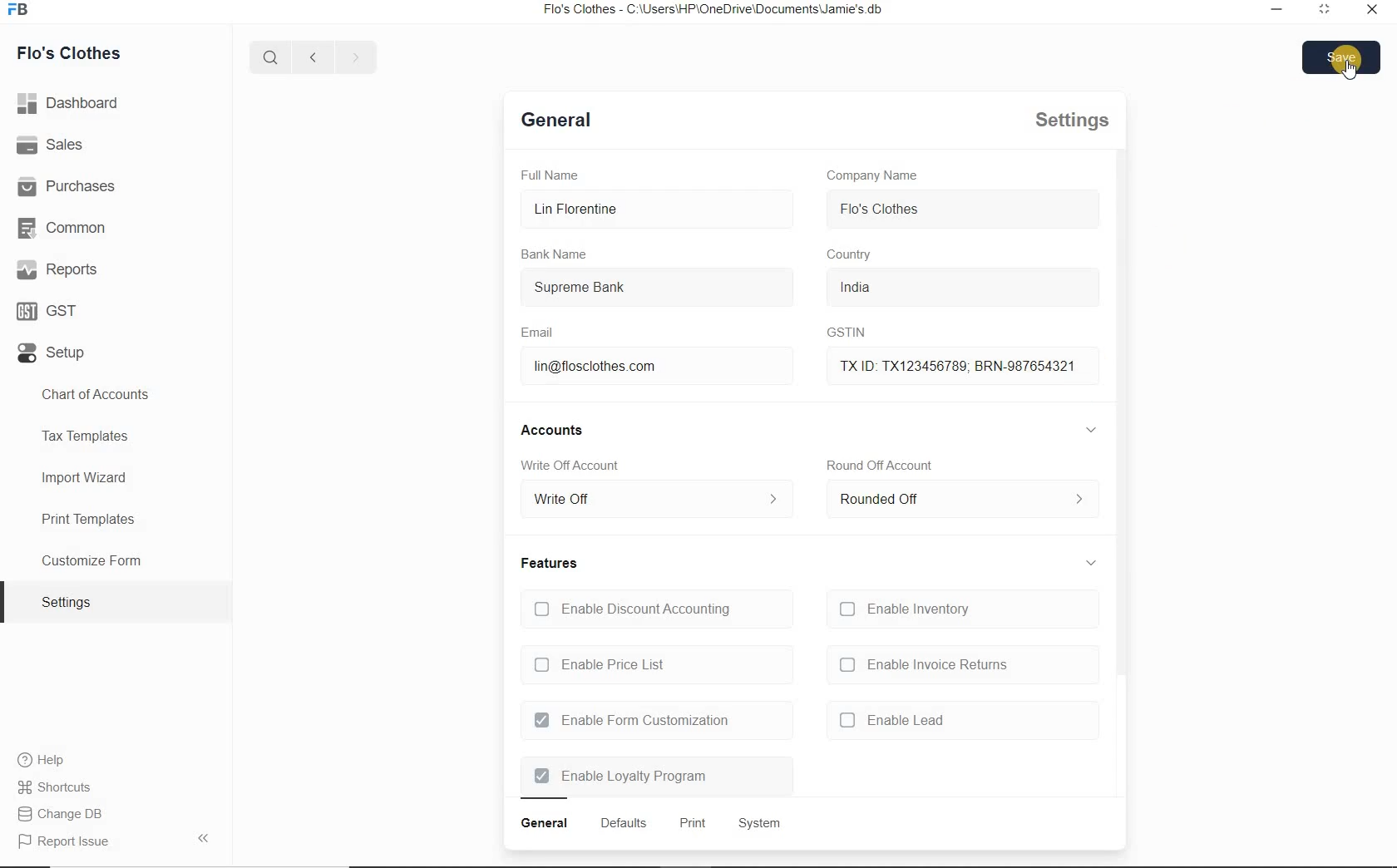 This screenshot has height=868, width=1397. Describe the element at coordinates (558, 430) in the screenshot. I see `accounts` at that location.